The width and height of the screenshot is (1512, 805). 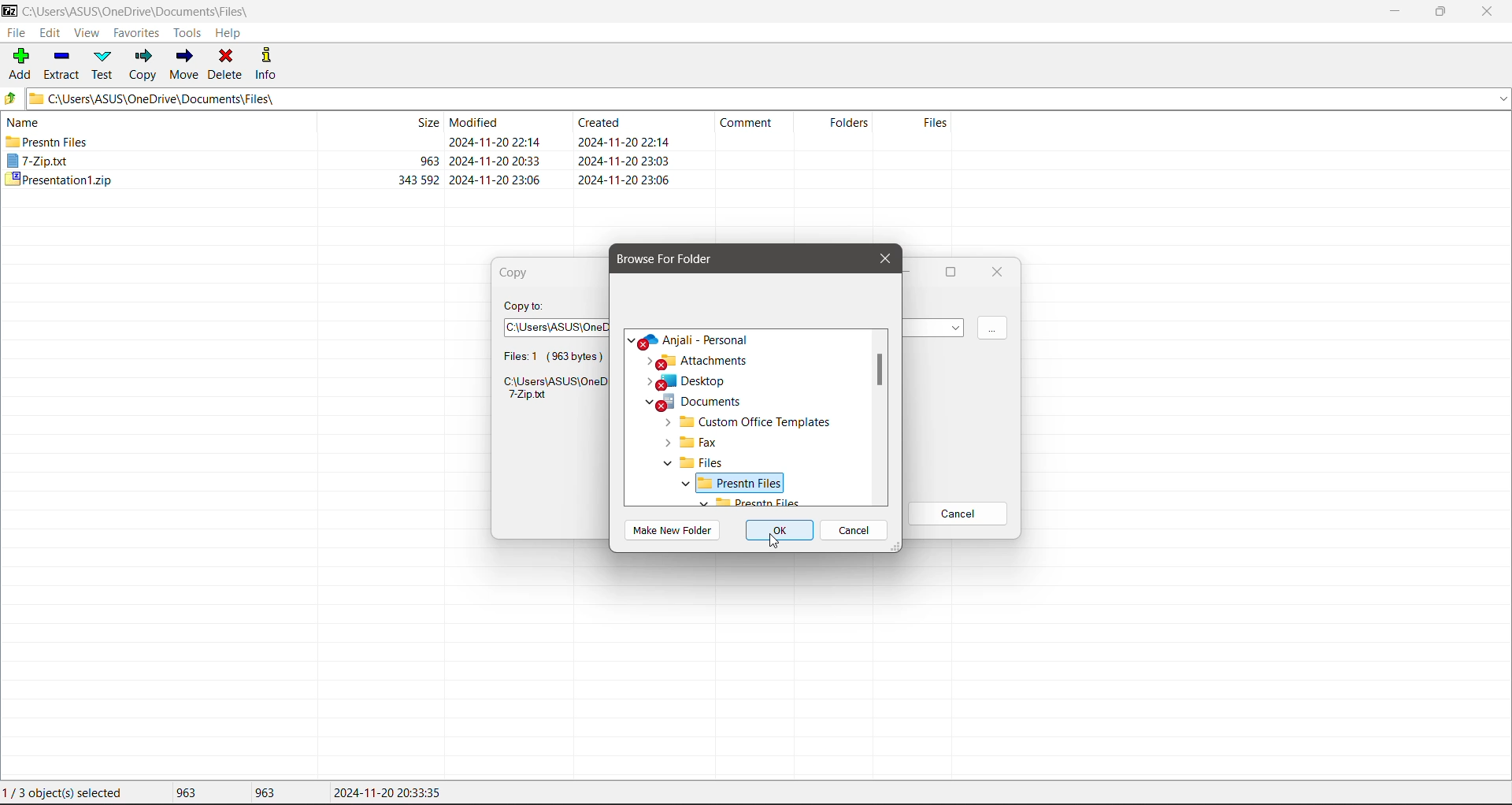 I want to click on Move Up one level, so click(x=10, y=98).